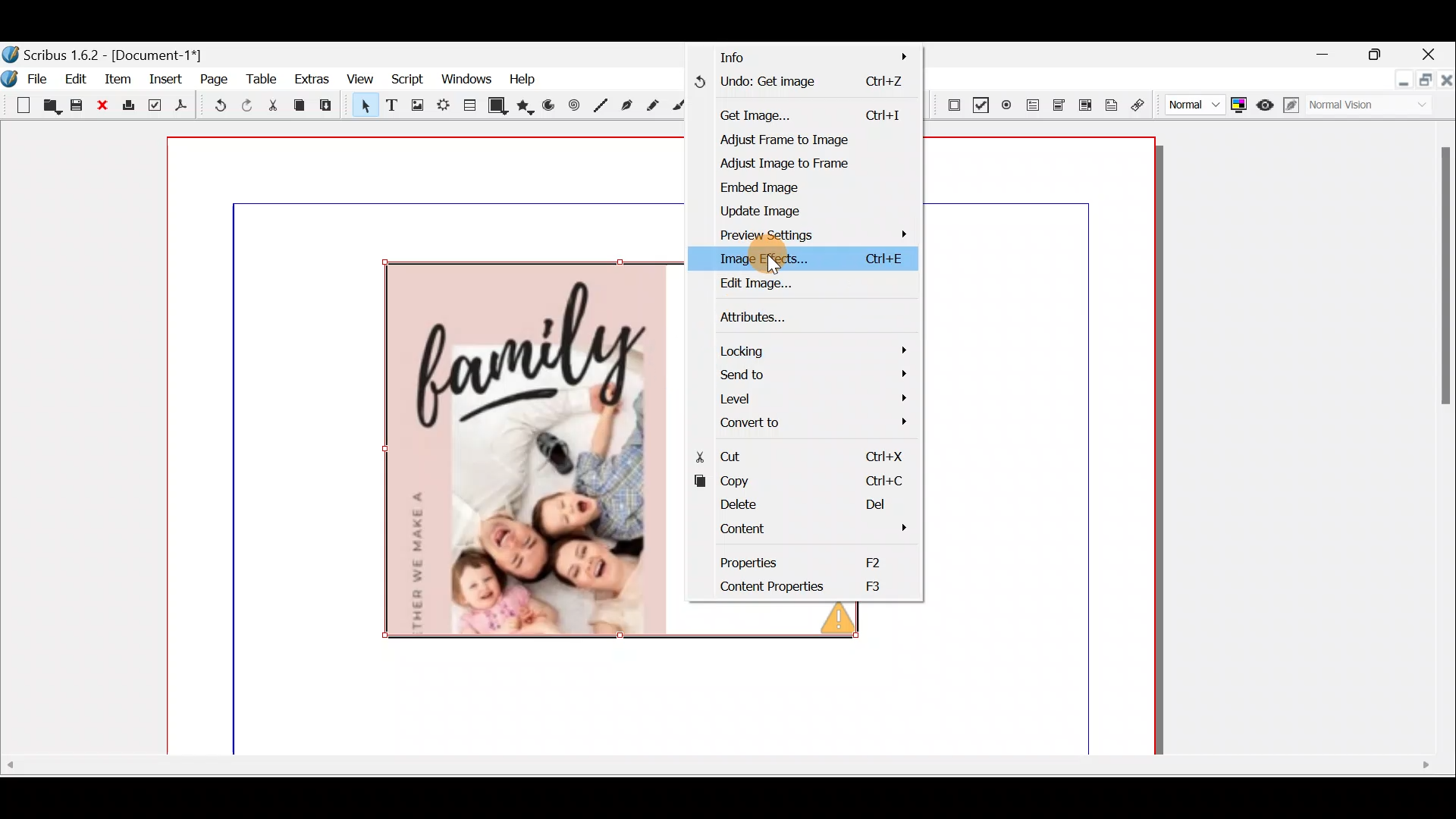  What do you see at coordinates (1191, 102) in the screenshot?
I see `Select image preview quality` at bounding box center [1191, 102].